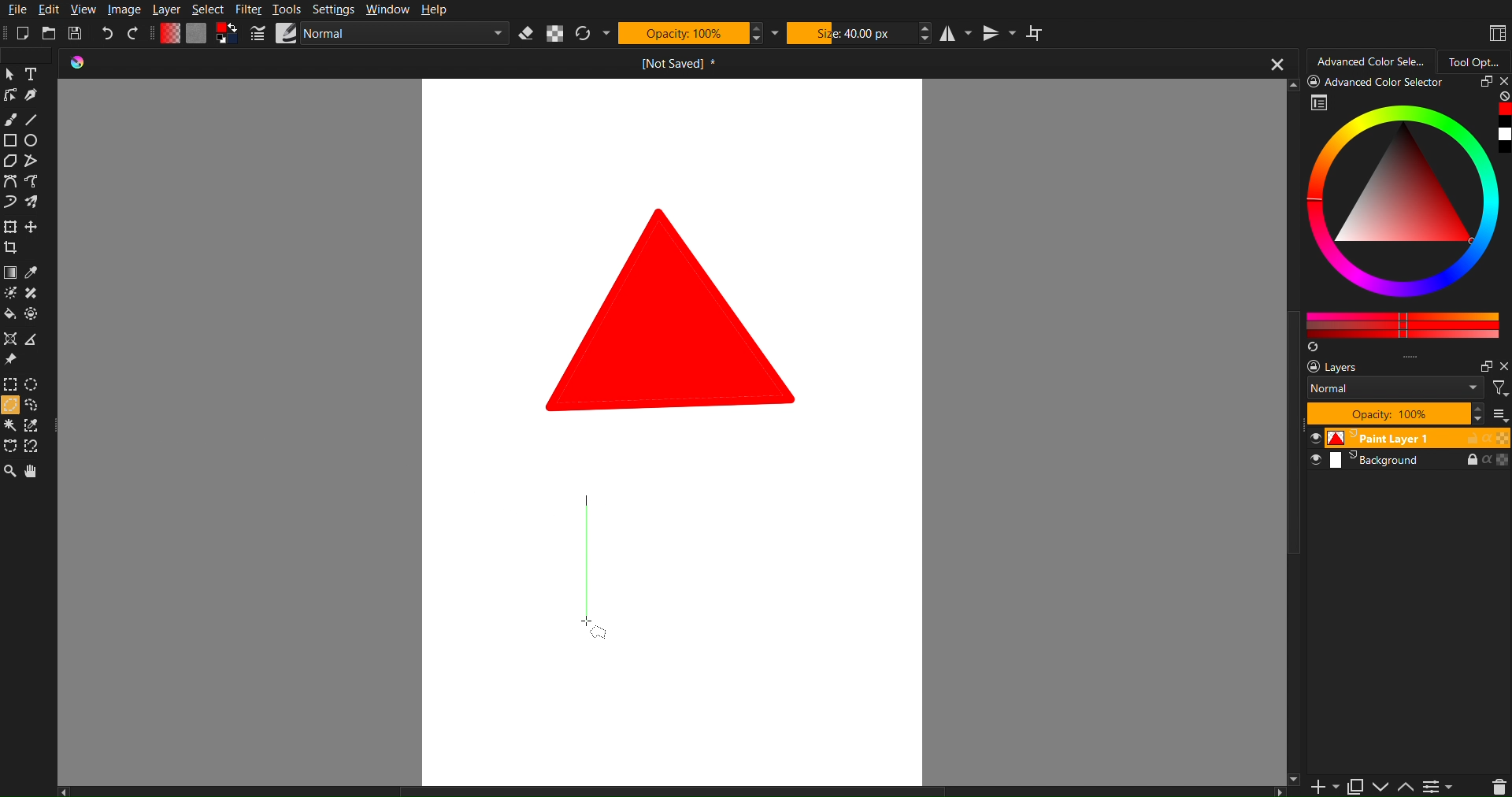 This screenshot has width=1512, height=797. Describe the element at coordinates (32, 426) in the screenshot. I see `Selection dropper` at that location.